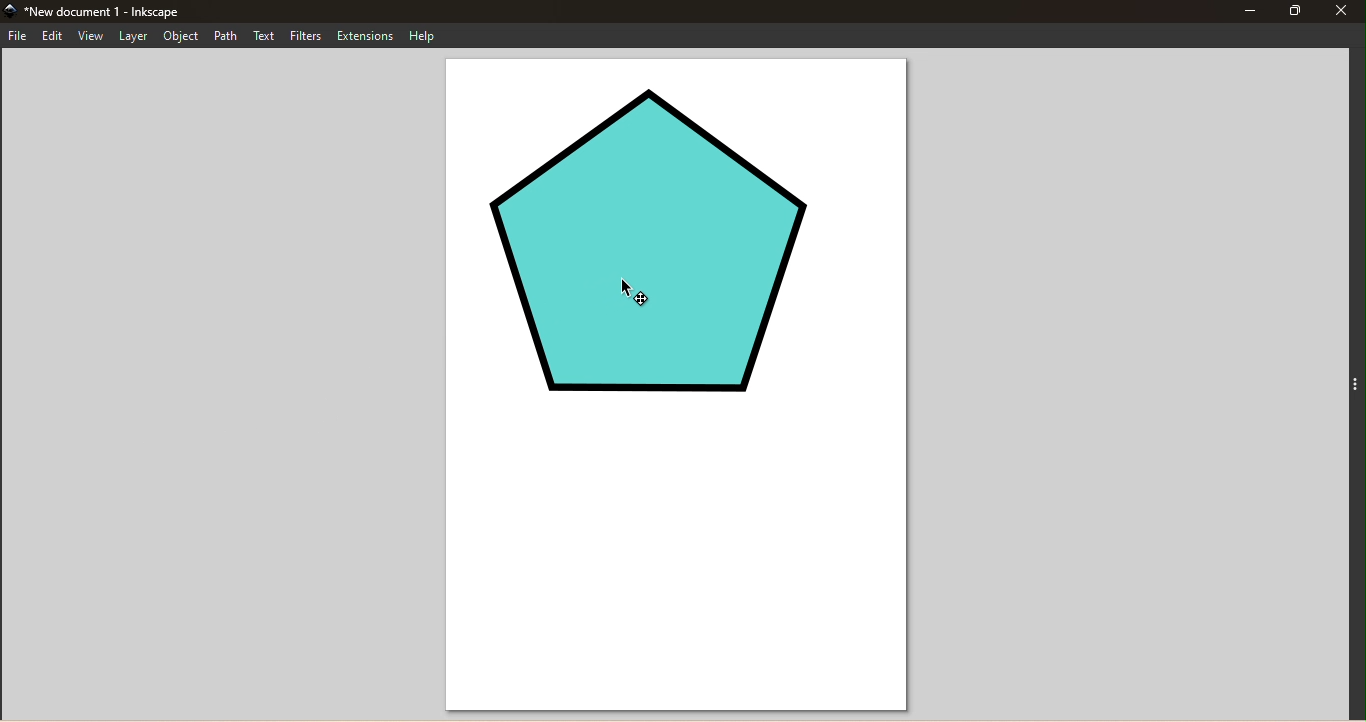 The height and width of the screenshot is (722, 1366). I want to click on Path, so click(227, 36).